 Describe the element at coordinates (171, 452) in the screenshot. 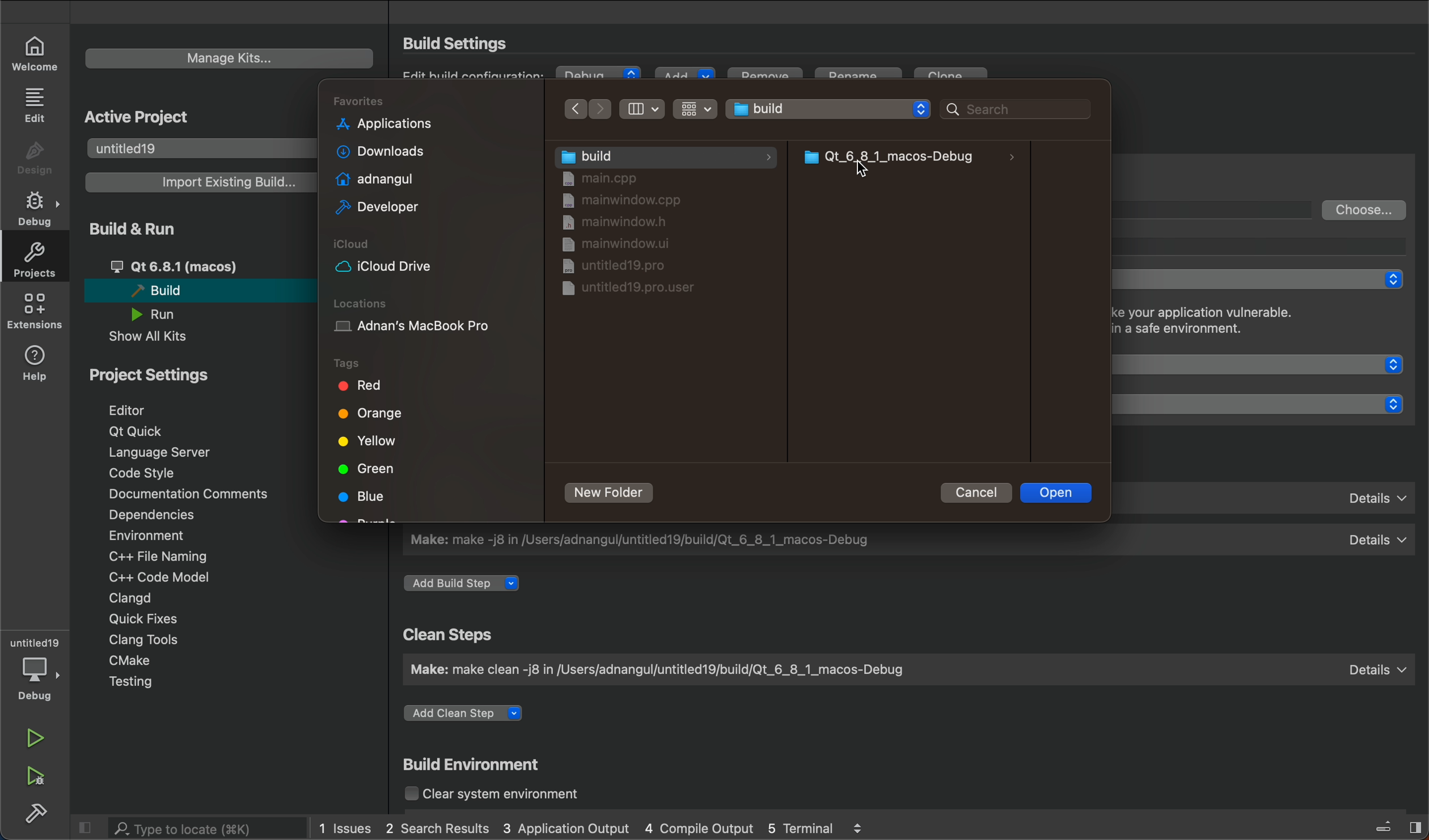

I see `language server` at that location.